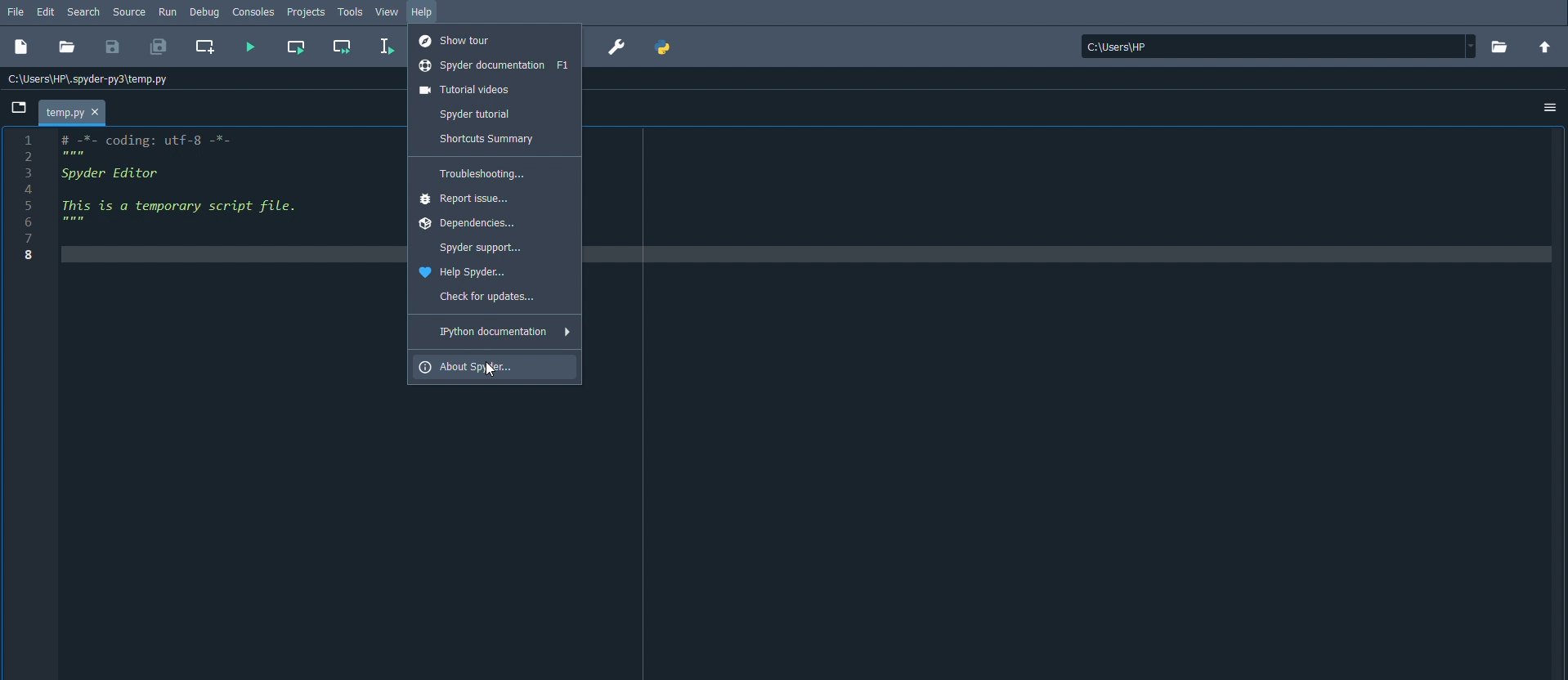 The width and height of the screenshot is (1568, 680). I want to click on Browse tabs, so click(18, 108).